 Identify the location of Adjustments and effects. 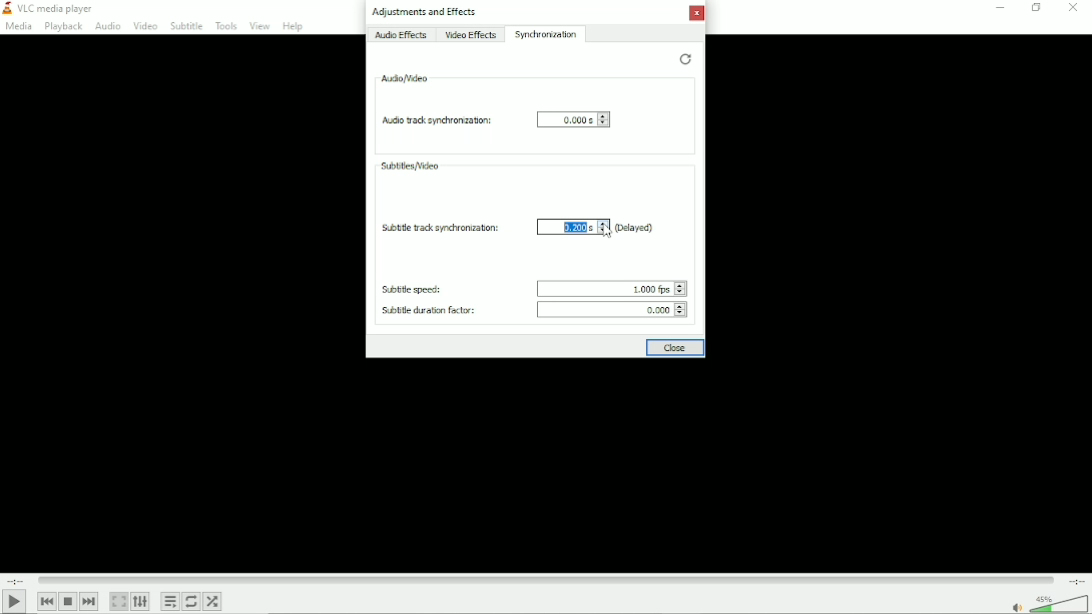
(426, 13).